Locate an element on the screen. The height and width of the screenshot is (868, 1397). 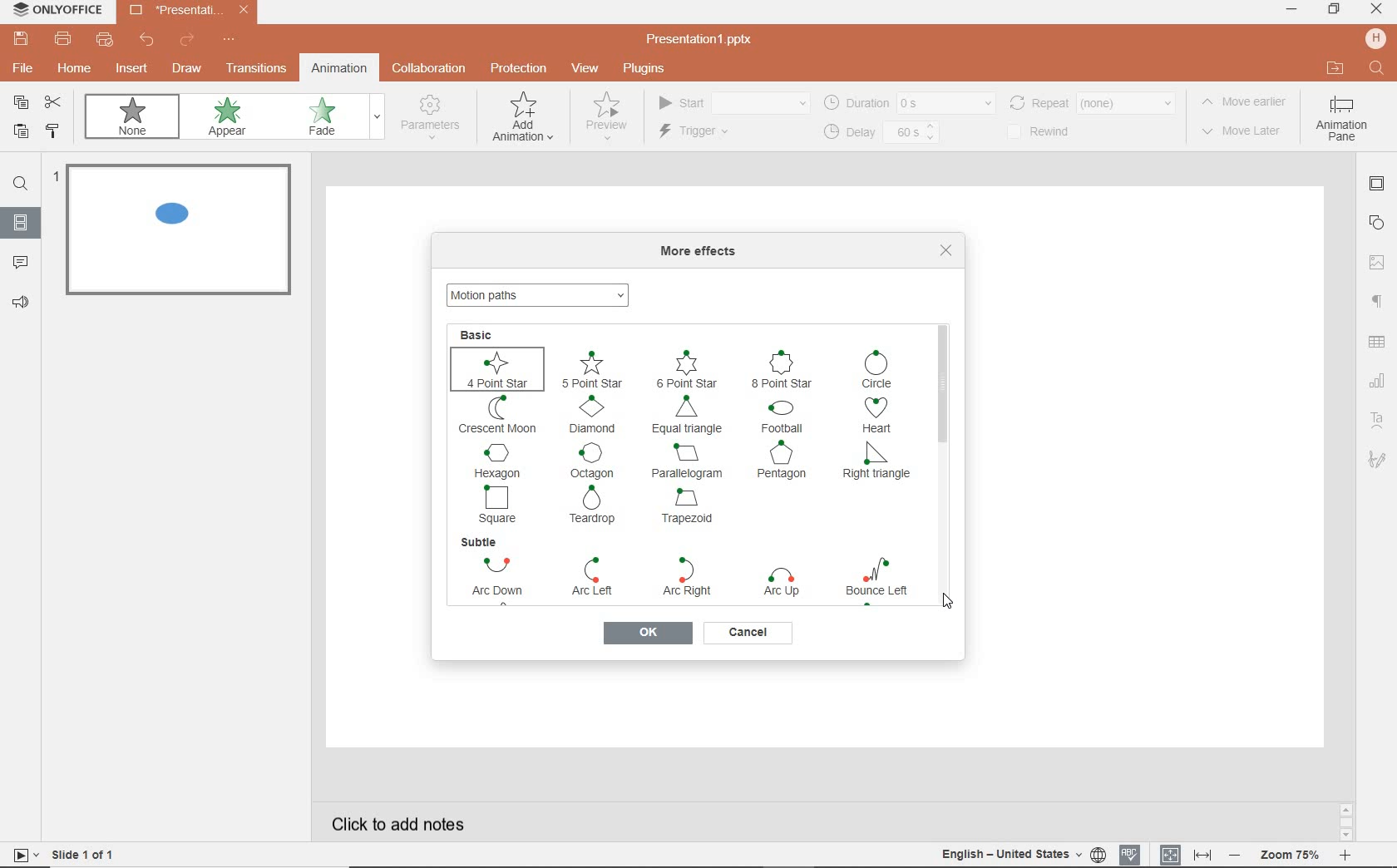
move earlier is located at coordinates (1248, 104).